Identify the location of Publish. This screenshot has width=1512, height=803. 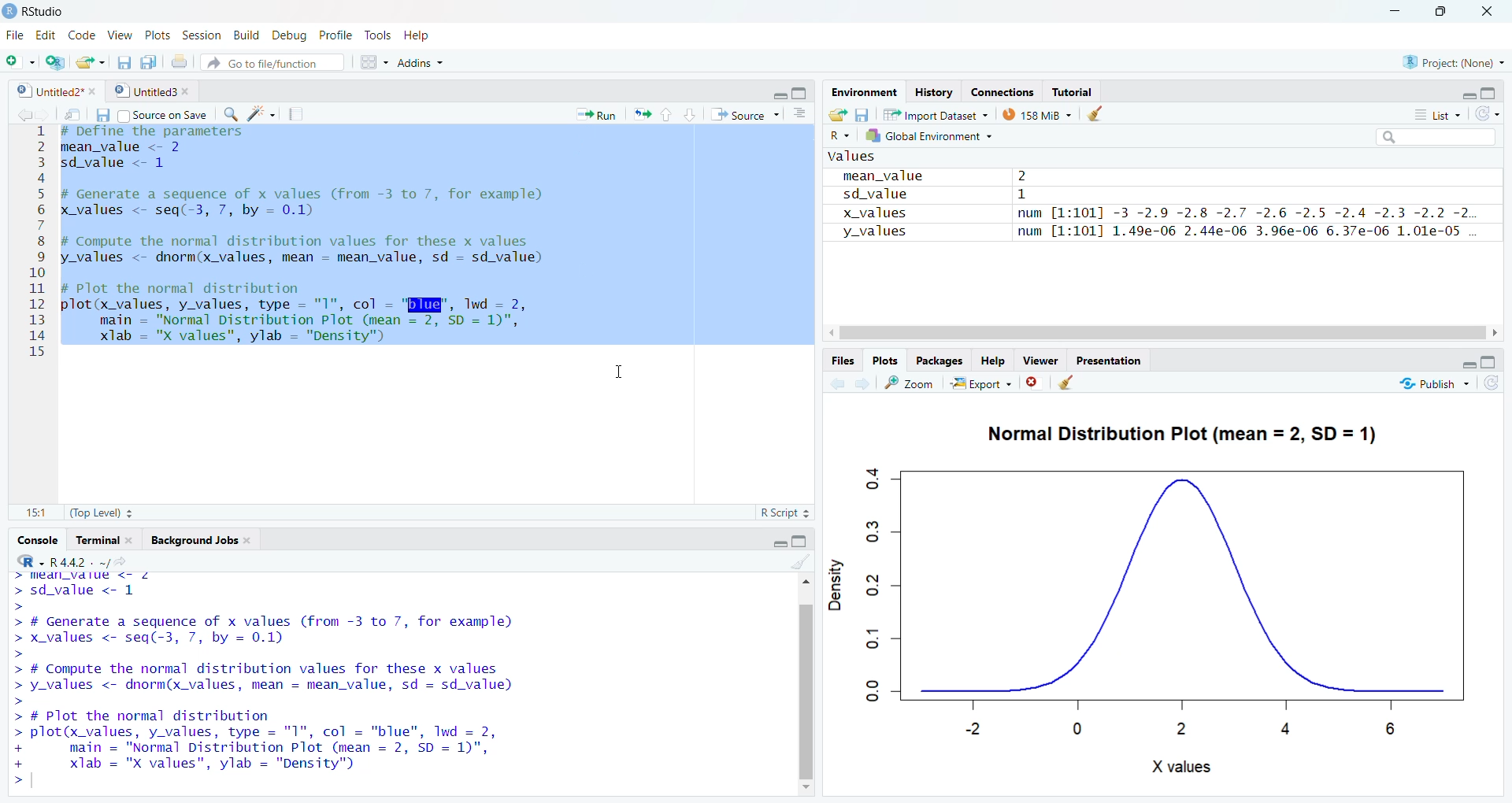
(1425, 383).